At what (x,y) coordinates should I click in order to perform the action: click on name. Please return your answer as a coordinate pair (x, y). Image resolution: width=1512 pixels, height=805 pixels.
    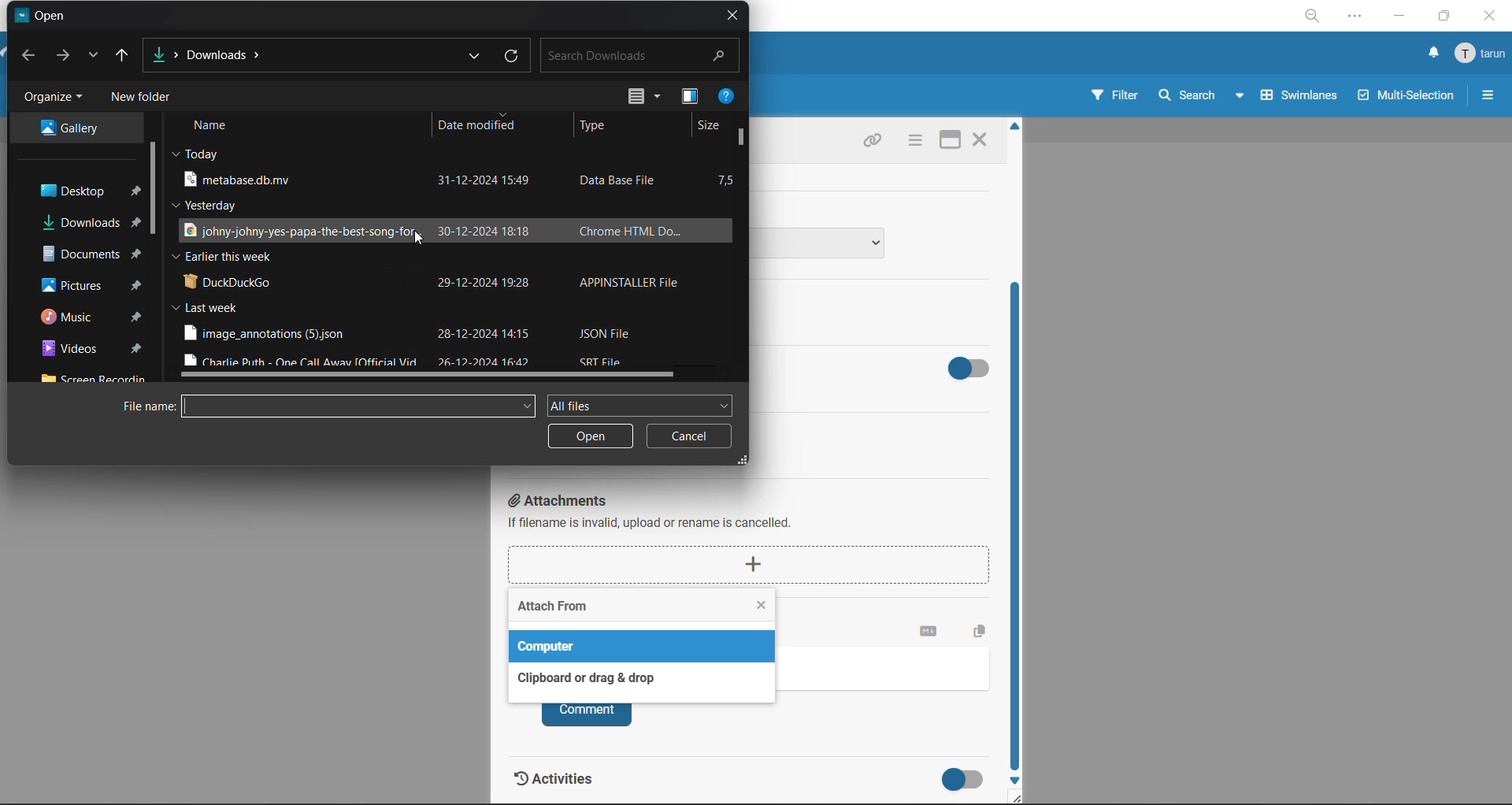
    Looking at the image, I should click on (217, 127).